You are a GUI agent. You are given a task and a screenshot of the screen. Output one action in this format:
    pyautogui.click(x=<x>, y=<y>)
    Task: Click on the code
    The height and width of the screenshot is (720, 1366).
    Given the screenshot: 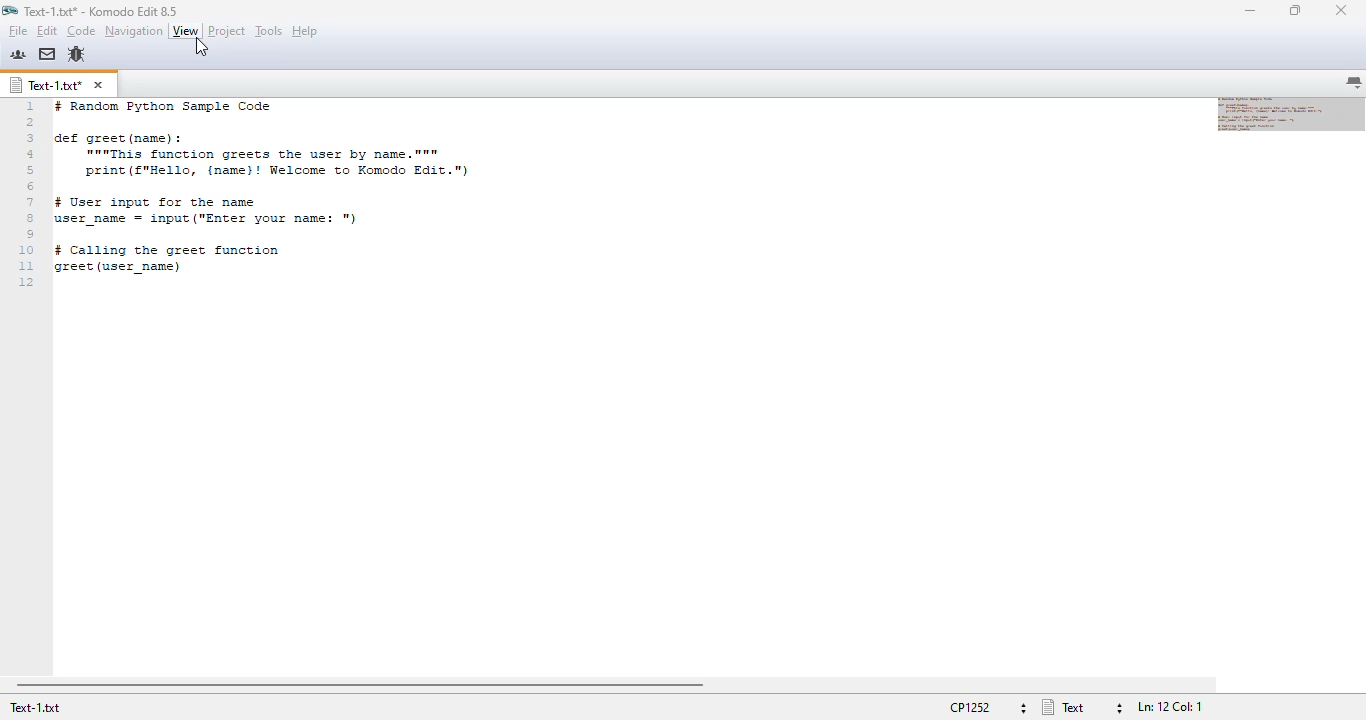 What is the action you would take?
    pyautogui.click(x=81, y=31)
    